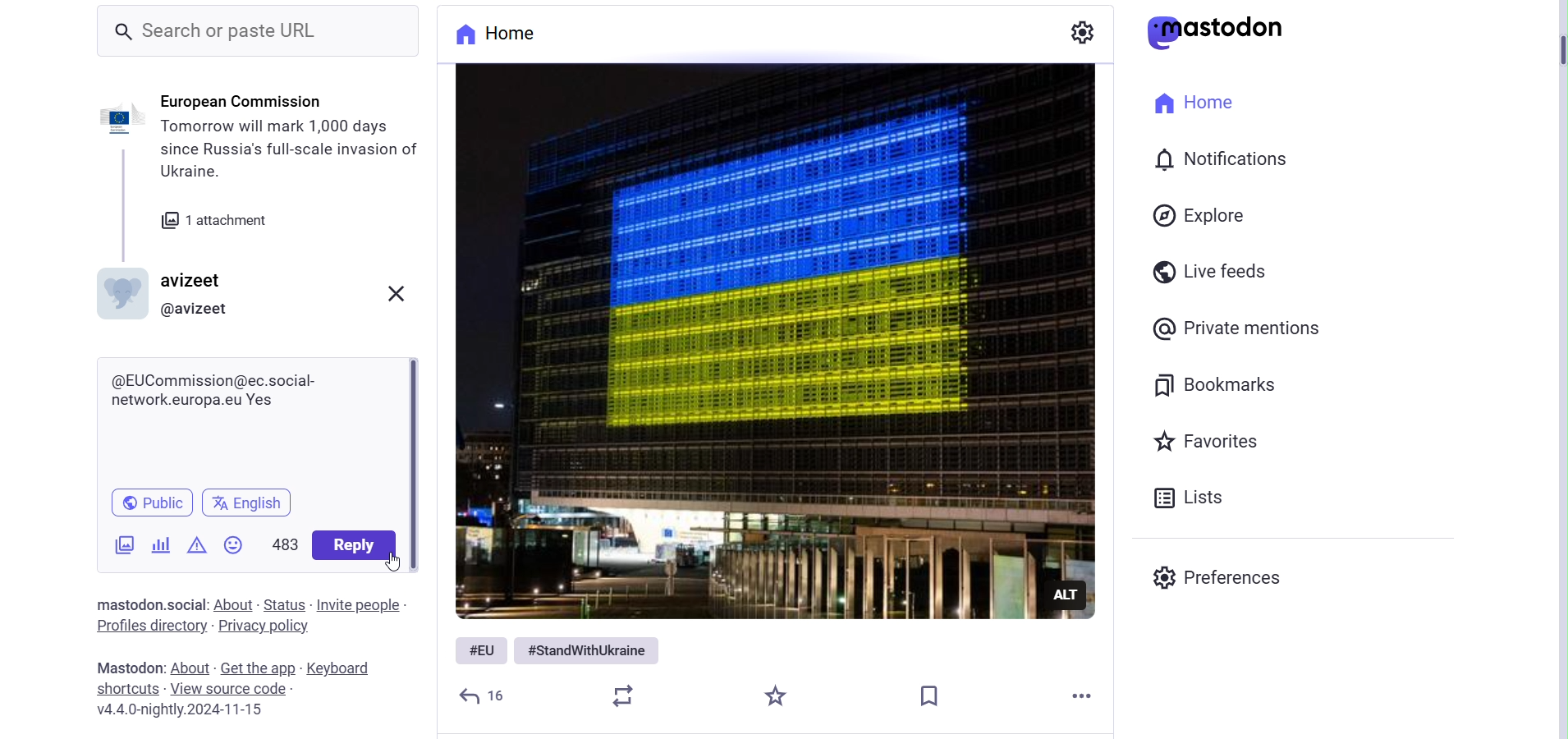 This screenshot has height=739, width=1568. I want to click on Content Warning, so click(198, 544).